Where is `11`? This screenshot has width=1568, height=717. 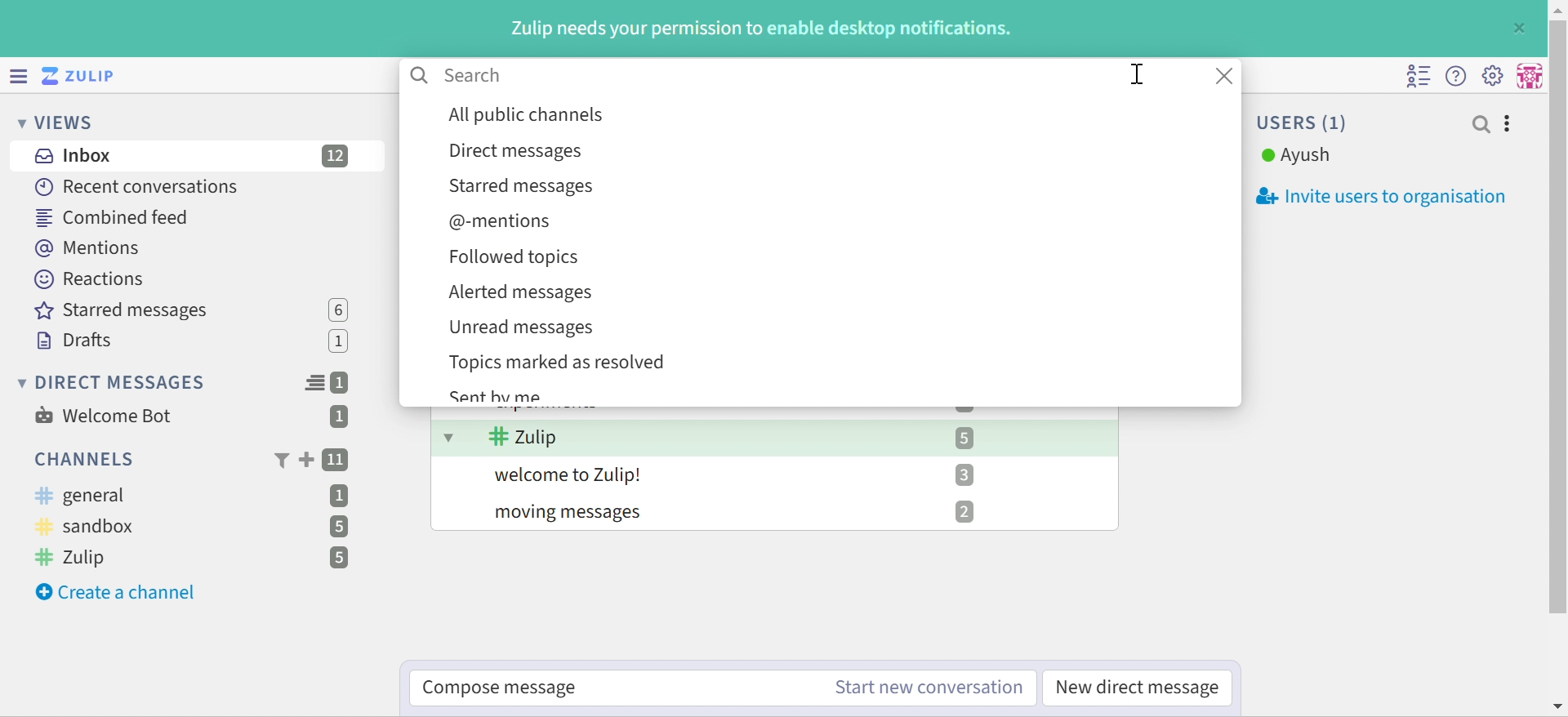 11 is located at coordinates (337, 461).